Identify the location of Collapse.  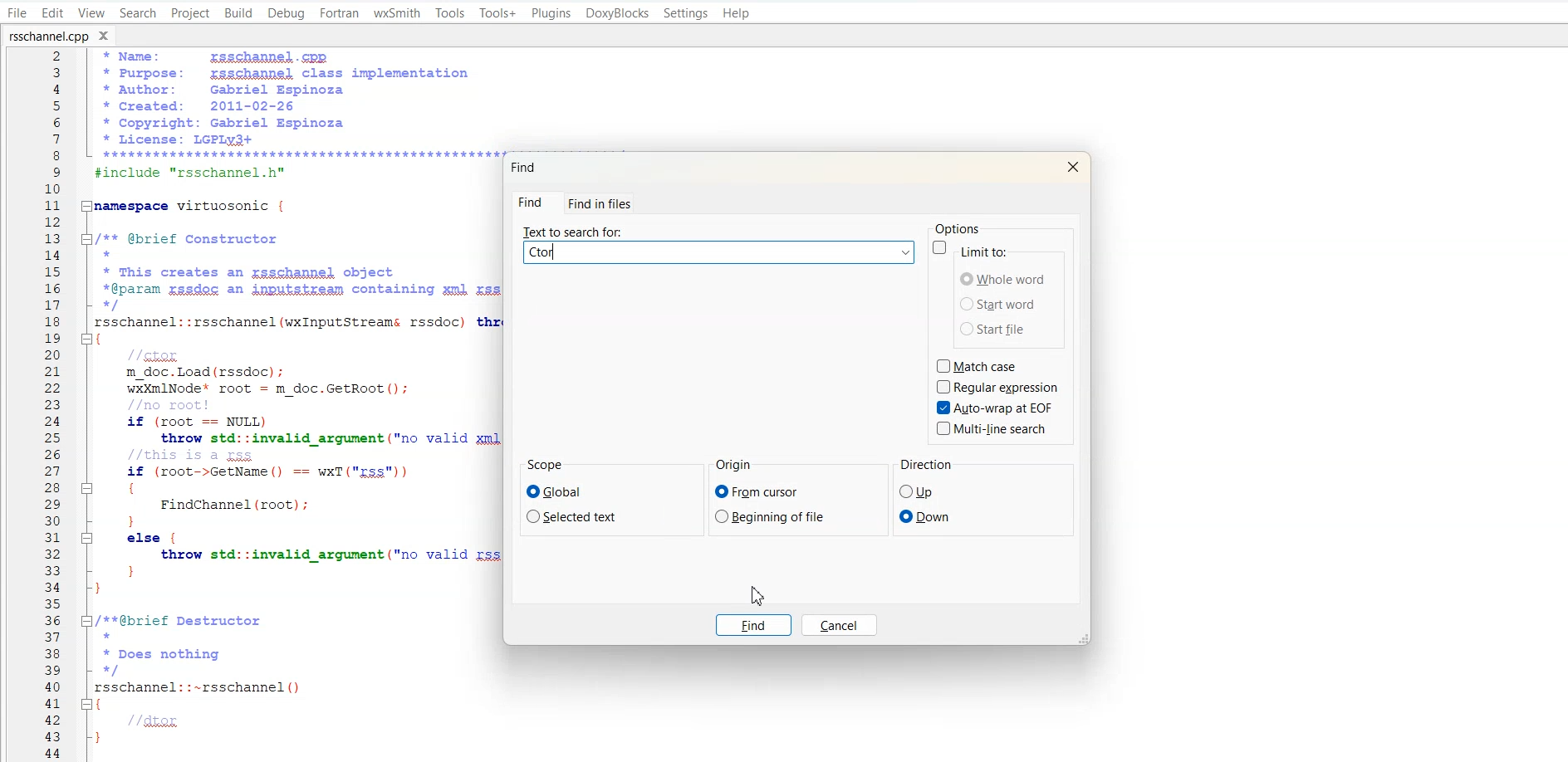
(88, 239).